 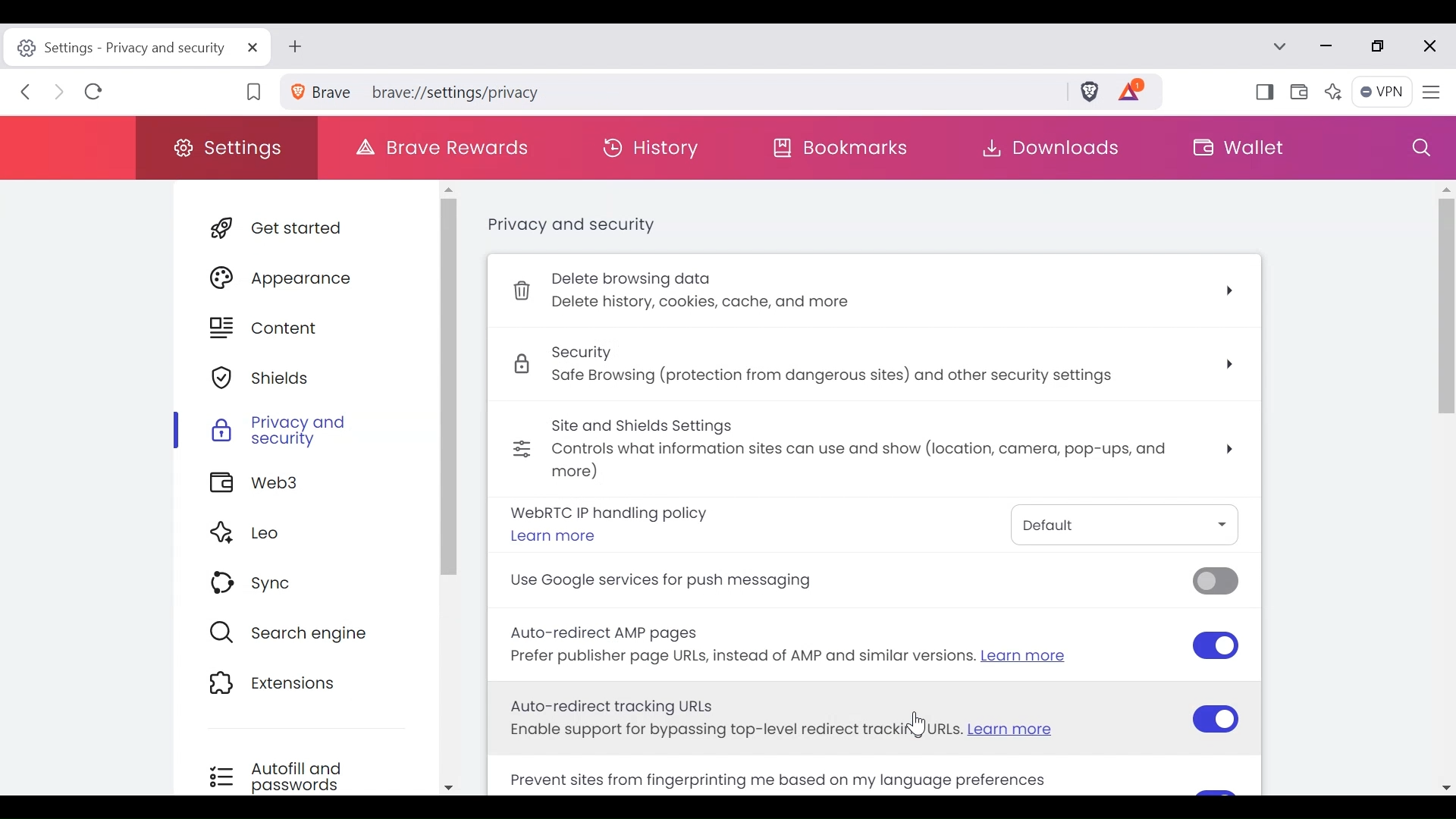 I want to click on Extensions, so click(x=297, y=686).